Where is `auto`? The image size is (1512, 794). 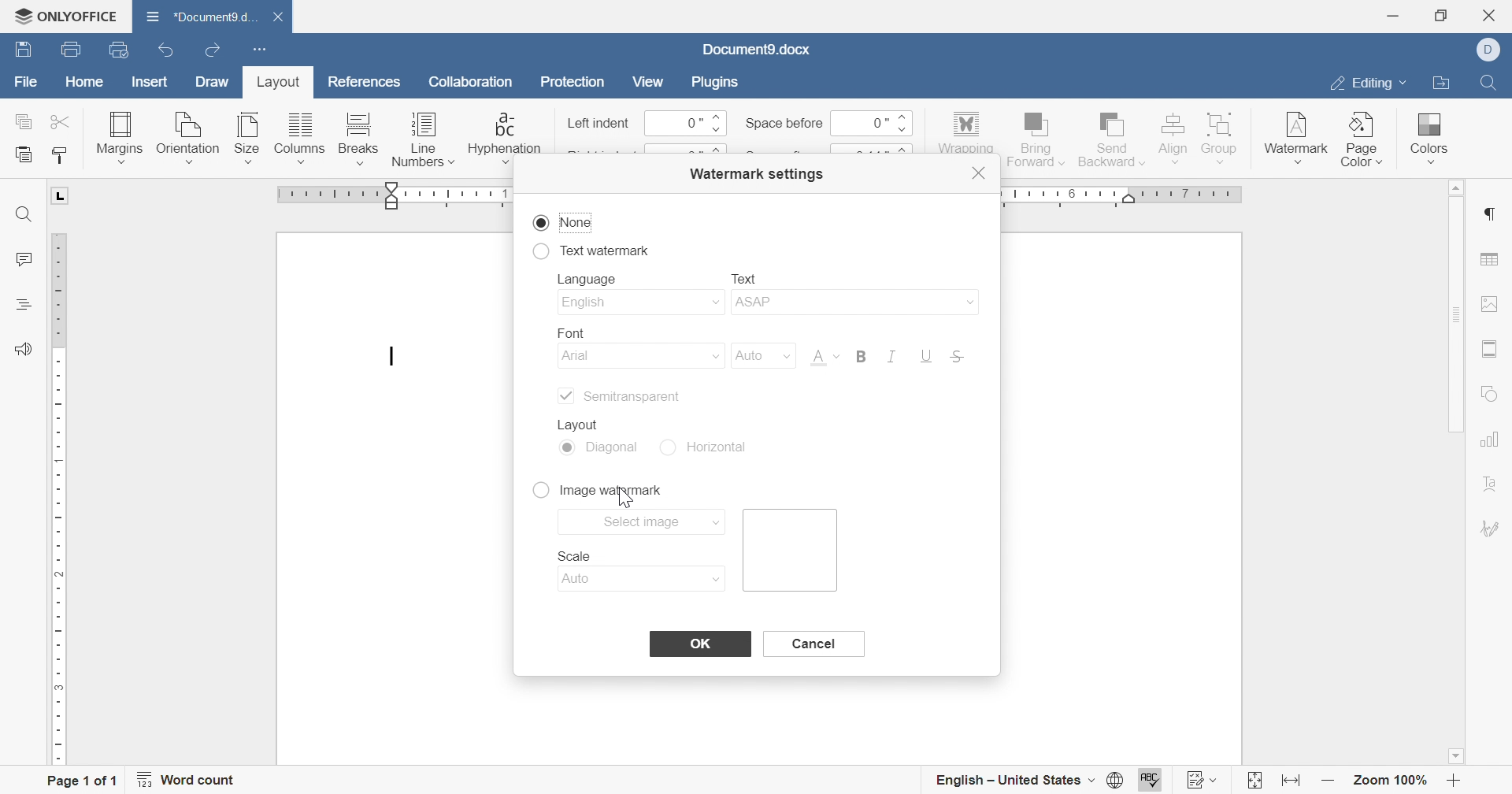 auto is located at coordinates (645, 579).